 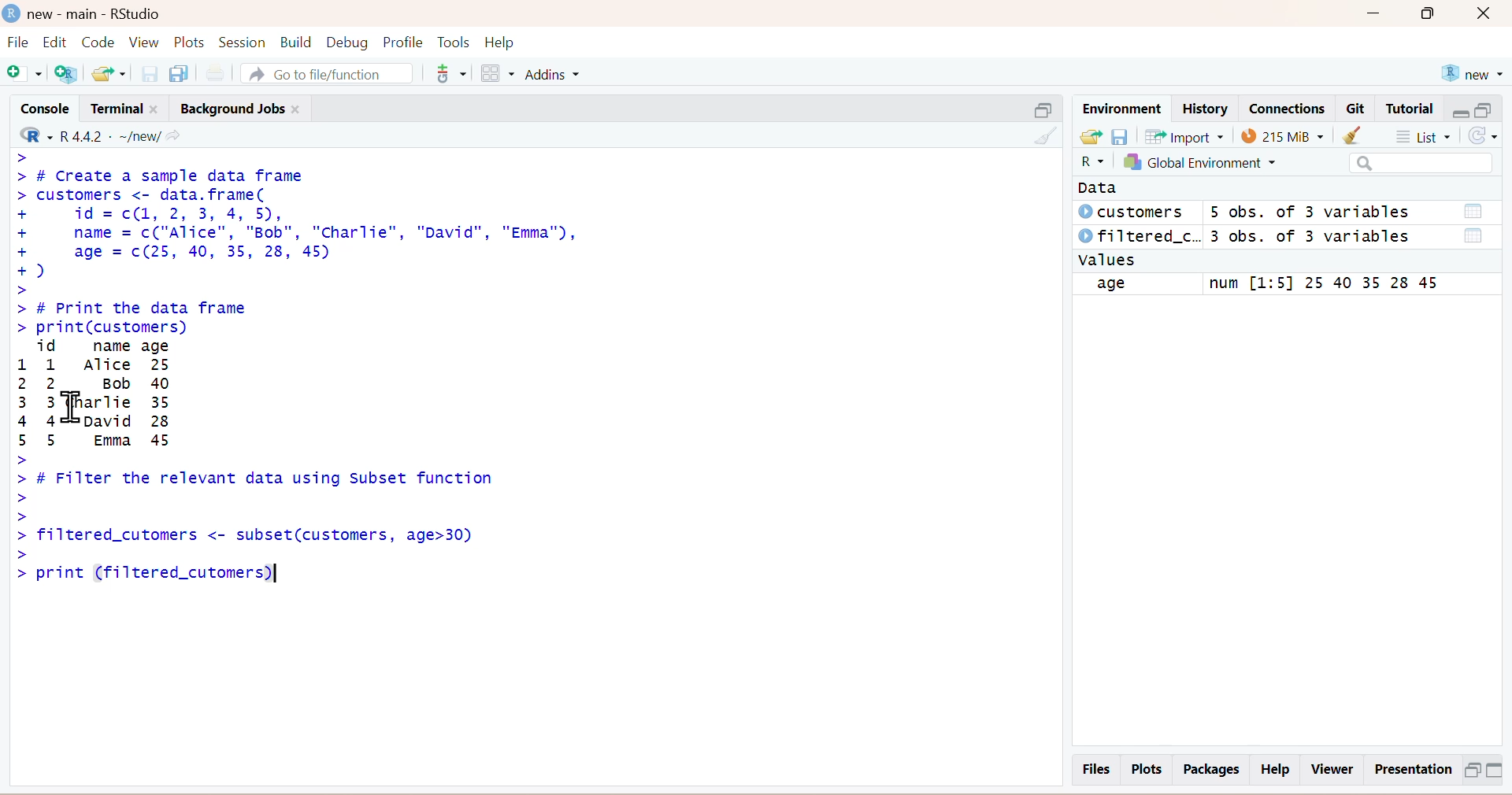 What do you see at coordinates (1286, 107) in the screenshot?
I see `Connections` at bounding box center [1286, 107].